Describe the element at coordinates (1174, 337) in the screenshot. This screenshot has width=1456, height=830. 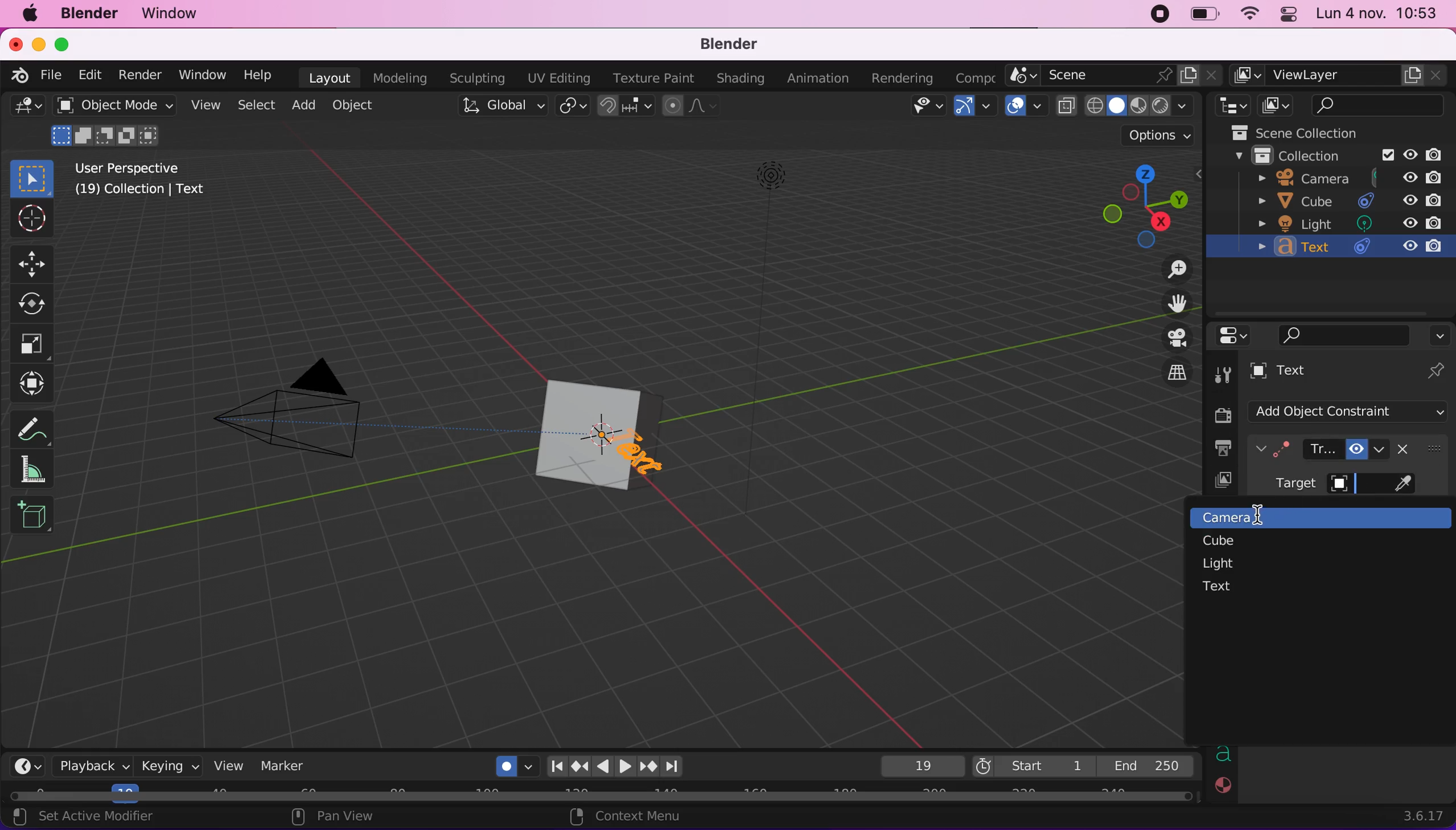
I see `toggle the camera view` at that location.